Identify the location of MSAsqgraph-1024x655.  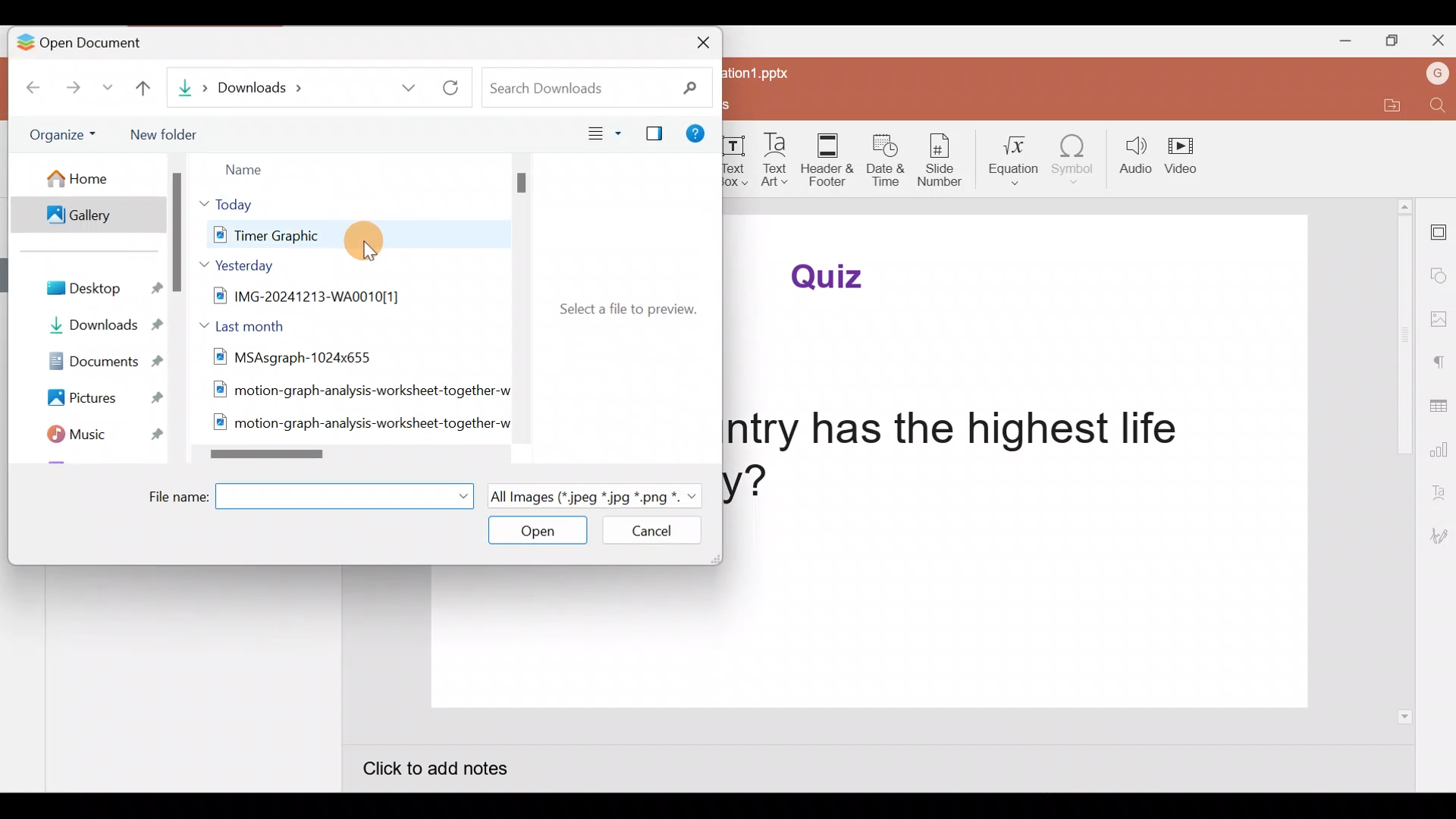
(345, 356).